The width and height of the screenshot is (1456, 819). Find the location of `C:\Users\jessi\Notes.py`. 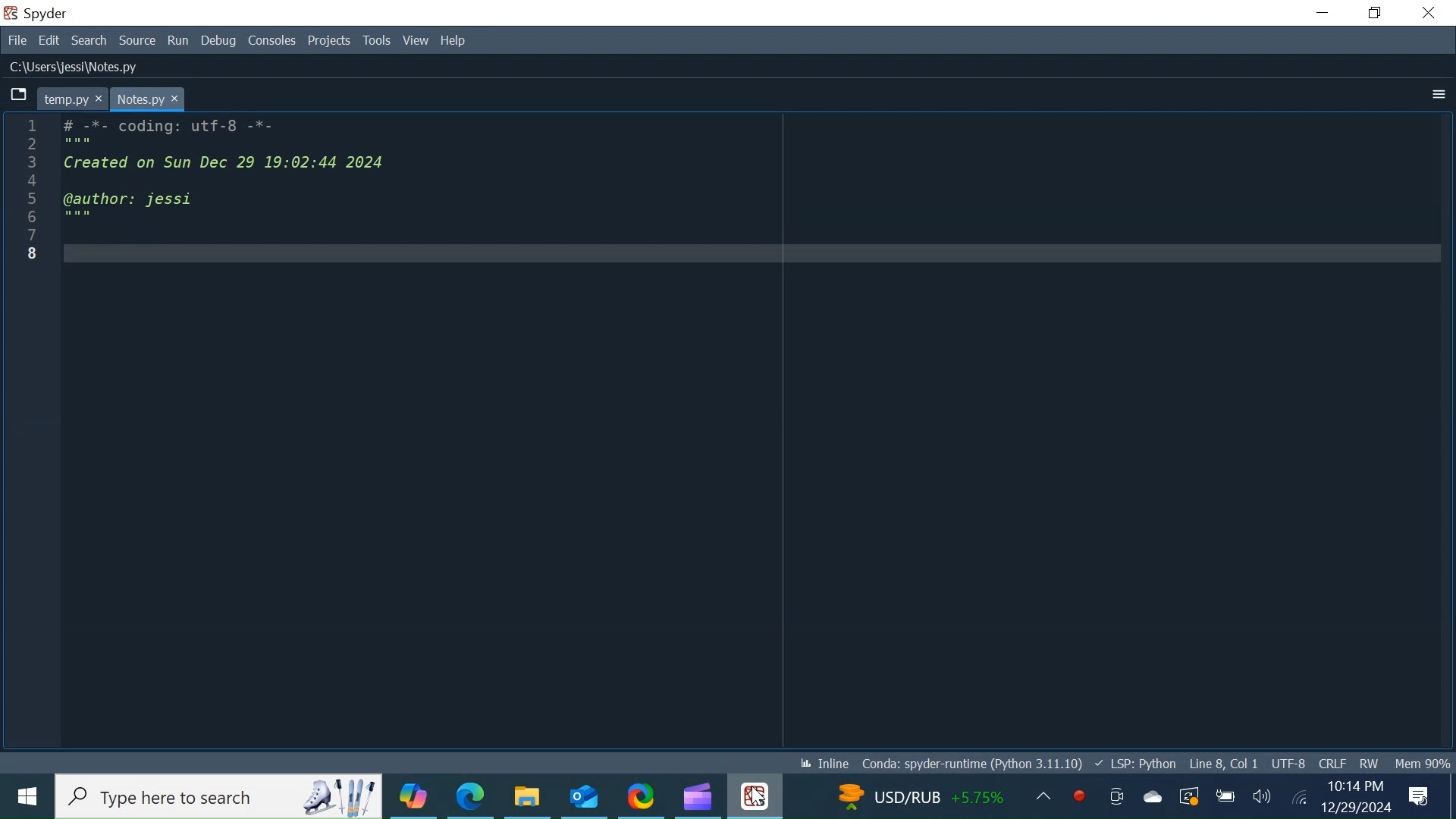

C:\Users\jessi\Notes.py is located at coordinates (109, 70).